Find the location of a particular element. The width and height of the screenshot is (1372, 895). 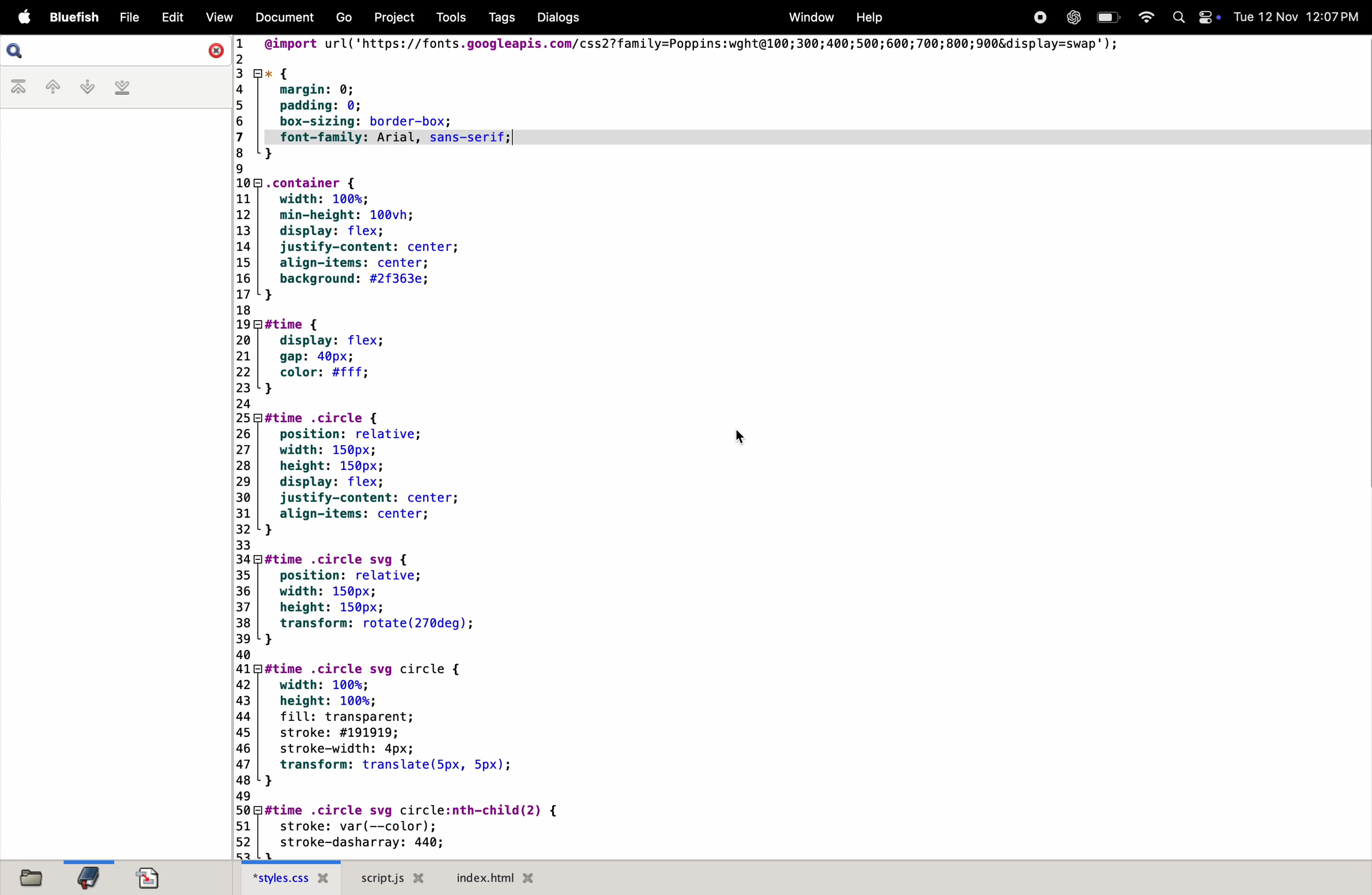

style.css is located at coordinates (293, 878).